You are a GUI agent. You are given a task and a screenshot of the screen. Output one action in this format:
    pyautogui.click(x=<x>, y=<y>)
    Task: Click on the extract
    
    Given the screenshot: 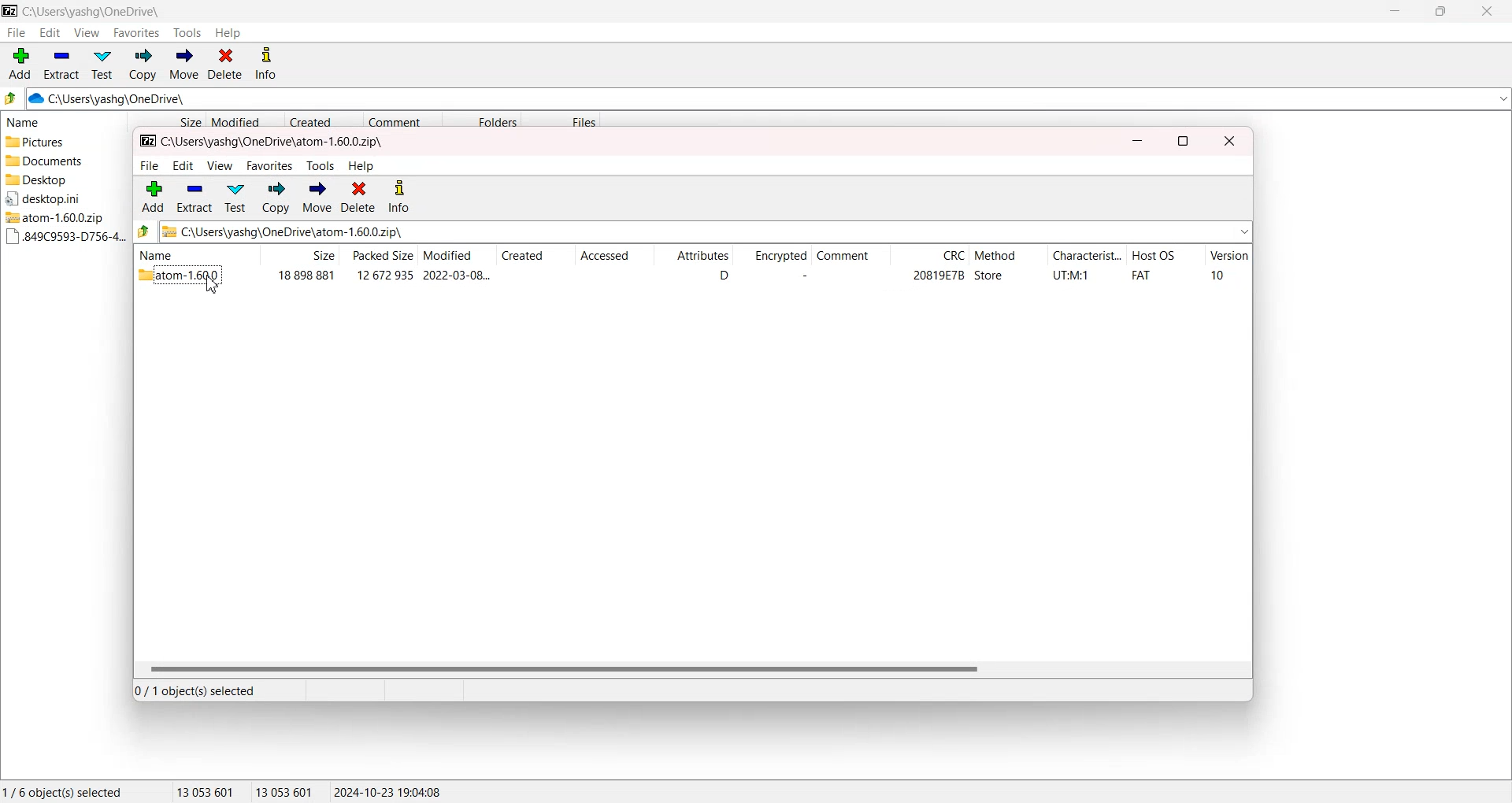 What is the action you would take?
    pyautogui.click(x=194, y=197)
    